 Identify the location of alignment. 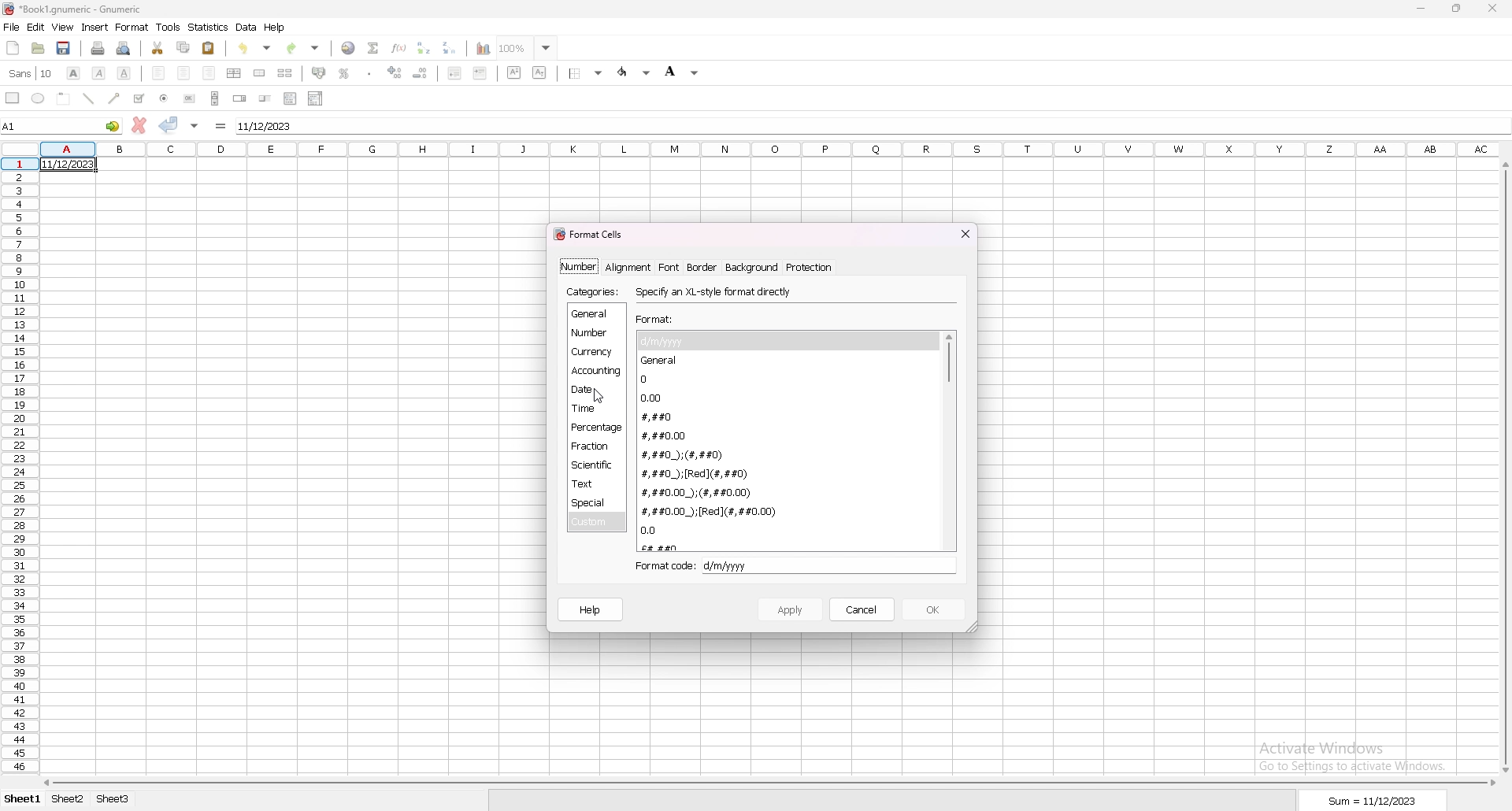
(628, 267).